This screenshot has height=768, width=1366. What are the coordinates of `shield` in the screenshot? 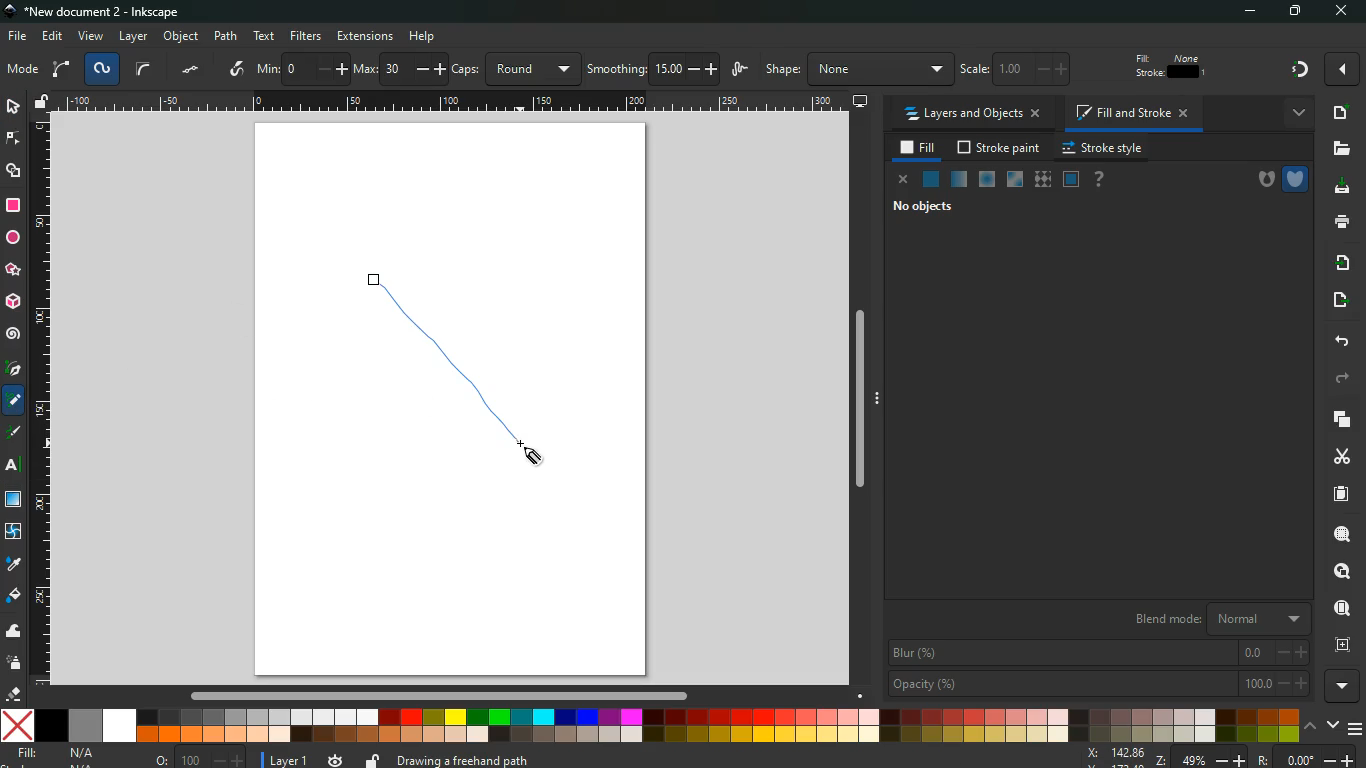 It's located at (1295, 177).